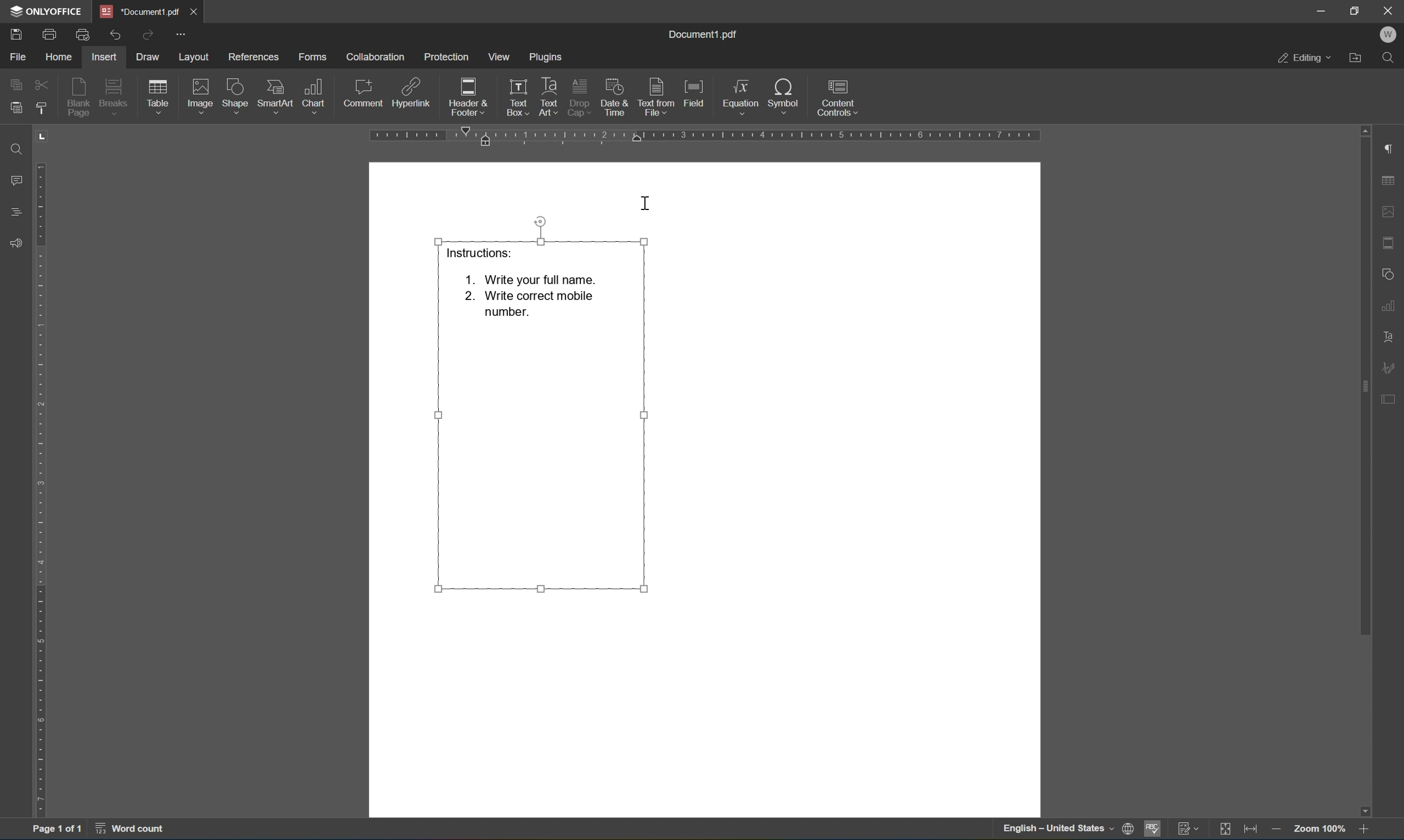 Image resolution: width=1404 pixels, height=840 pixels. I want to click on Restore down, so click(1355, 11).